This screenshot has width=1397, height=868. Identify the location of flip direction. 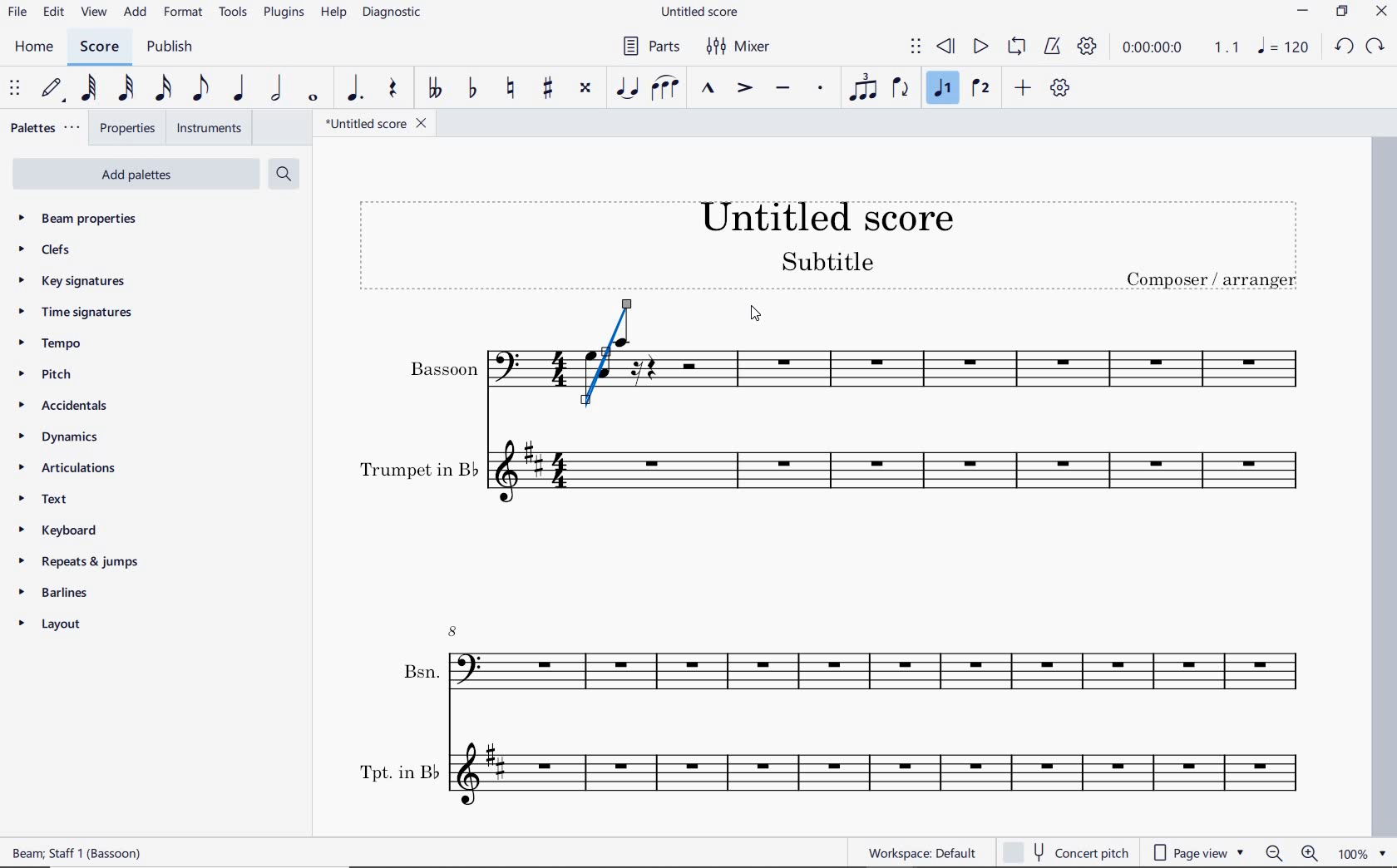
(901, 89).